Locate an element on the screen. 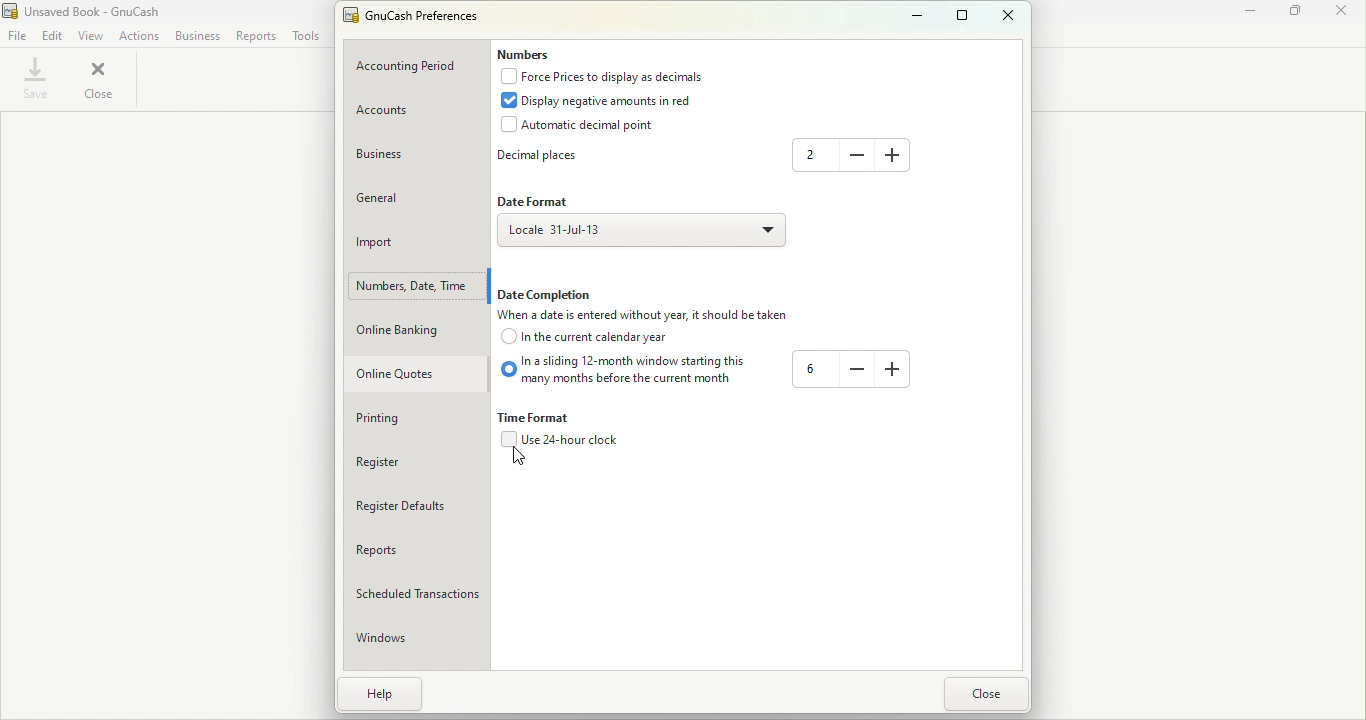 The height and width of the screenshot is (720, 1366). + is located at coordinates (893, 153).